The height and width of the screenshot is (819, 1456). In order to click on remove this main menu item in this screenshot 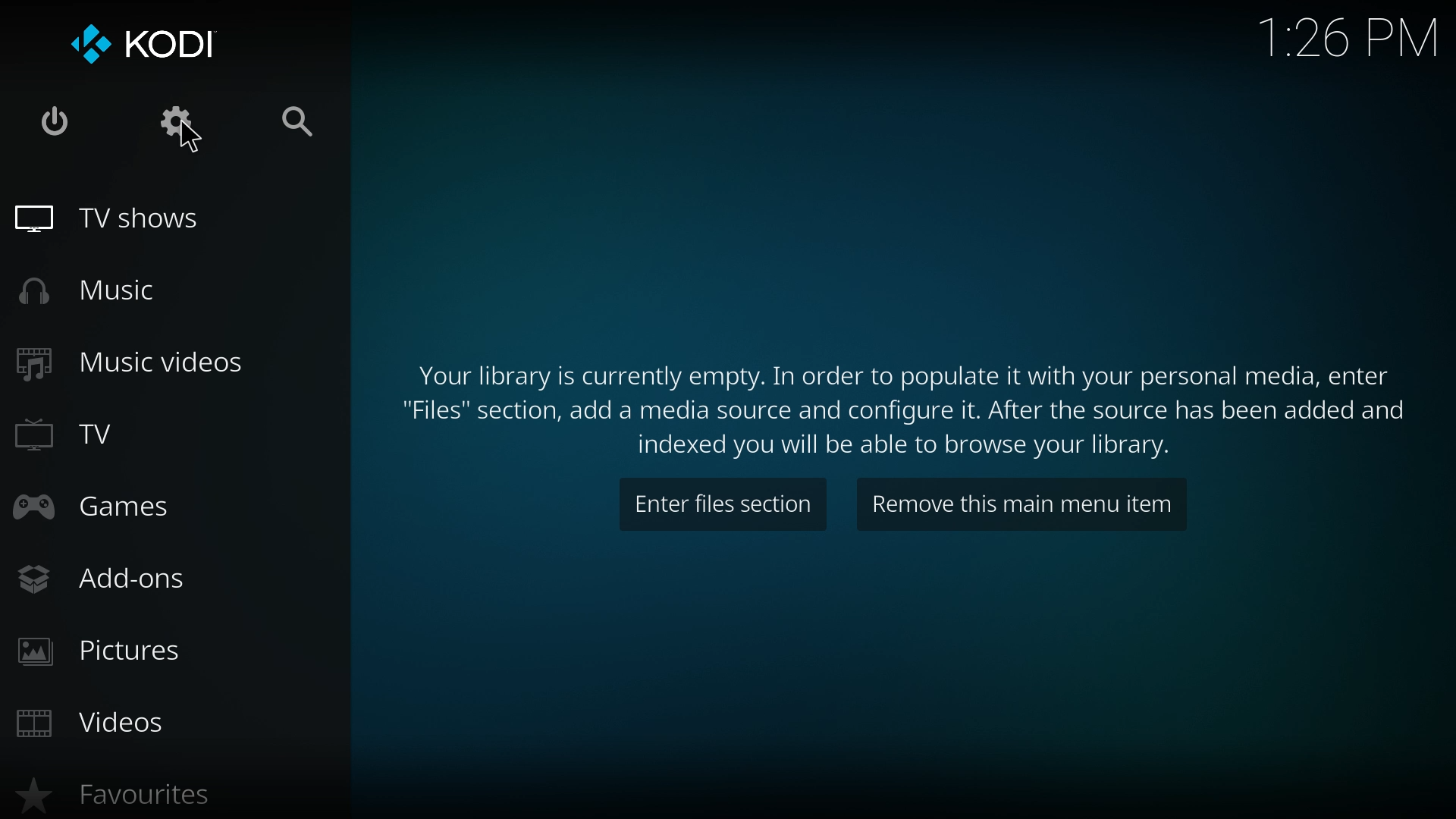, I will do `click(1024, 506)`.